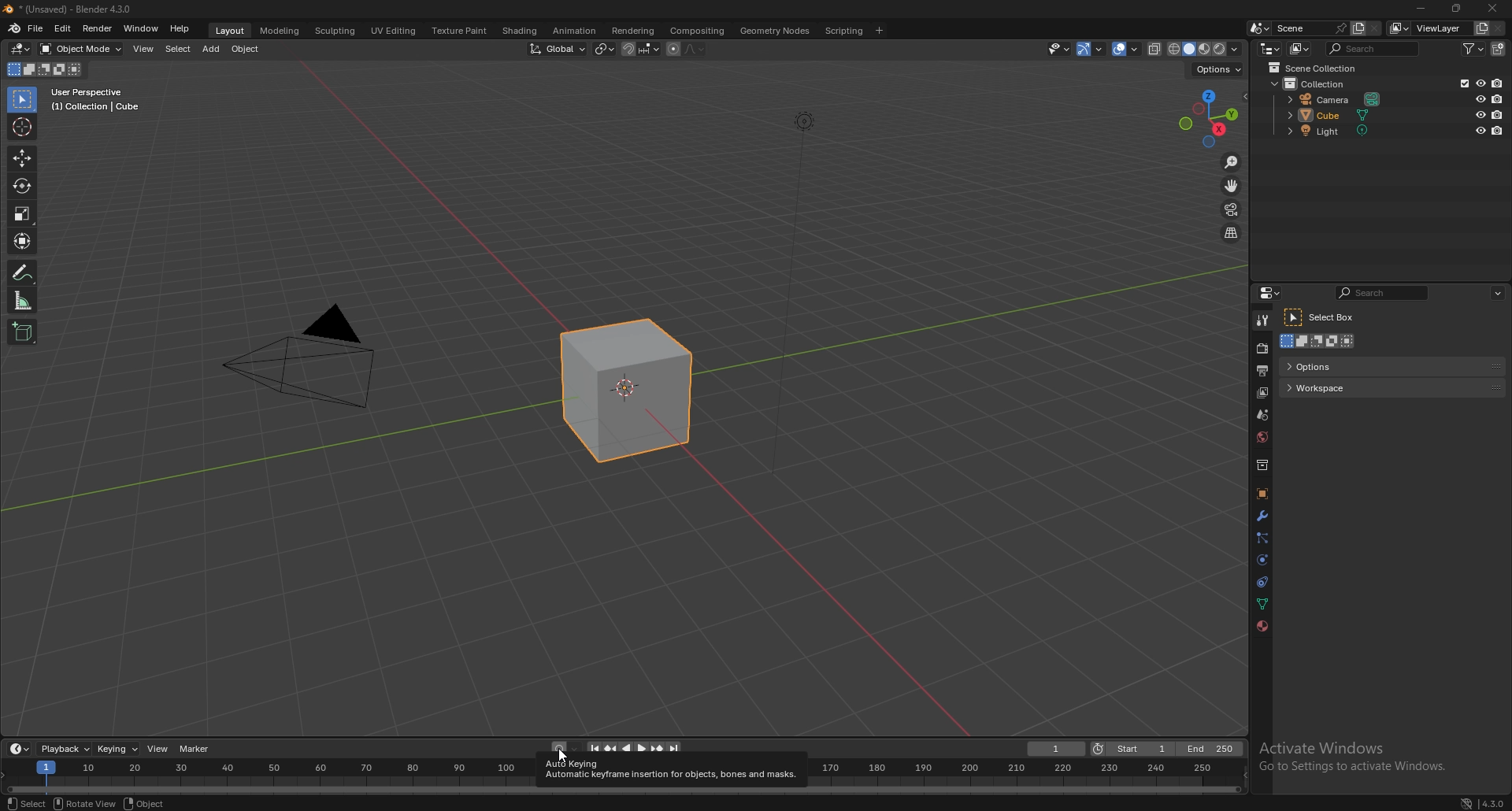 The width and height of the screenshot is (1512, 811). Describe the element at coordinates (673, 50) in the screenshot. I see `proportional editing object` at that location.